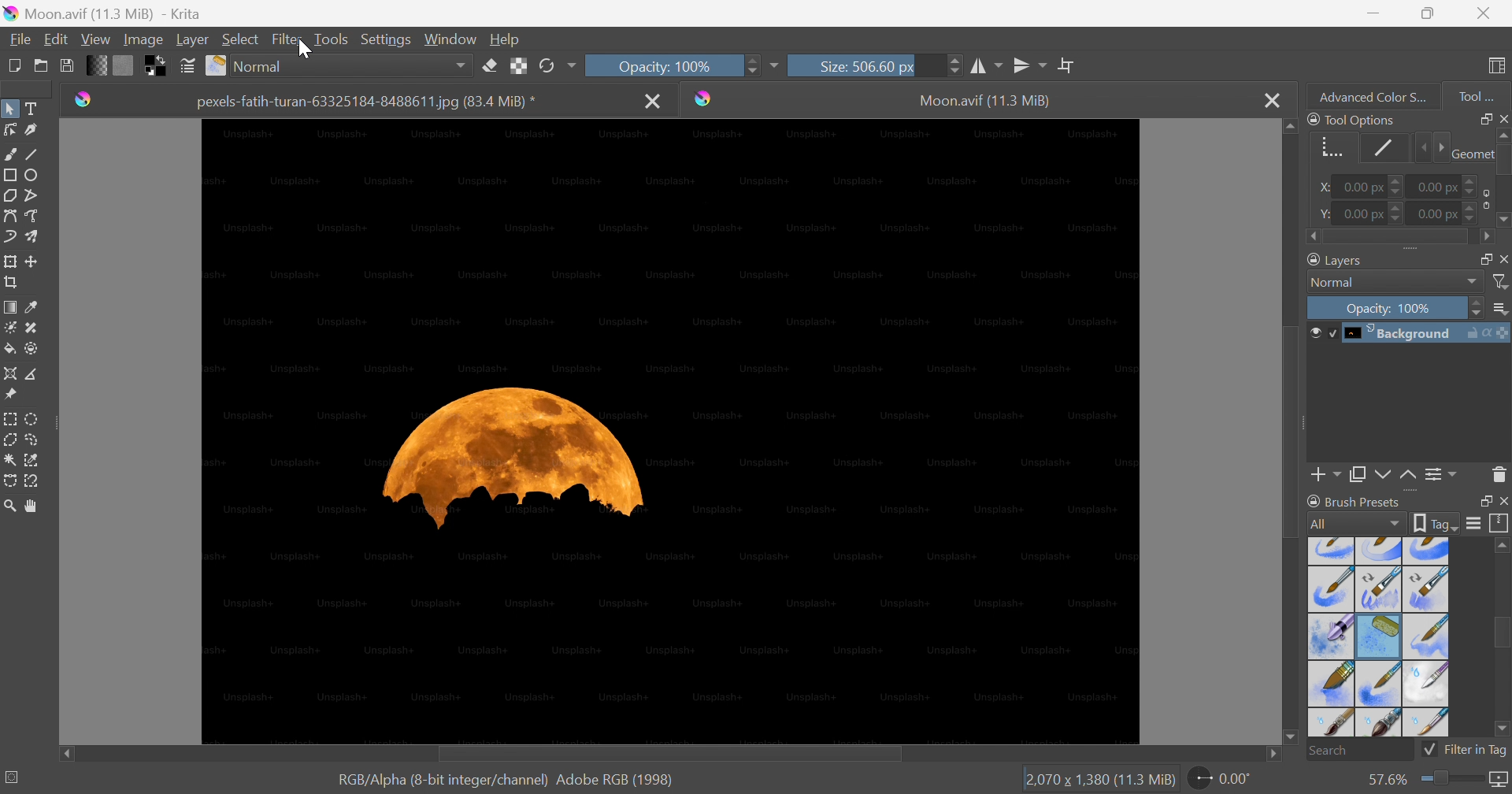 This screenshot has width=1512, height=794. What do you see at coordinates (1323, 213) in the screenshot?
I see `y:` at bounding box center [1323, 213].